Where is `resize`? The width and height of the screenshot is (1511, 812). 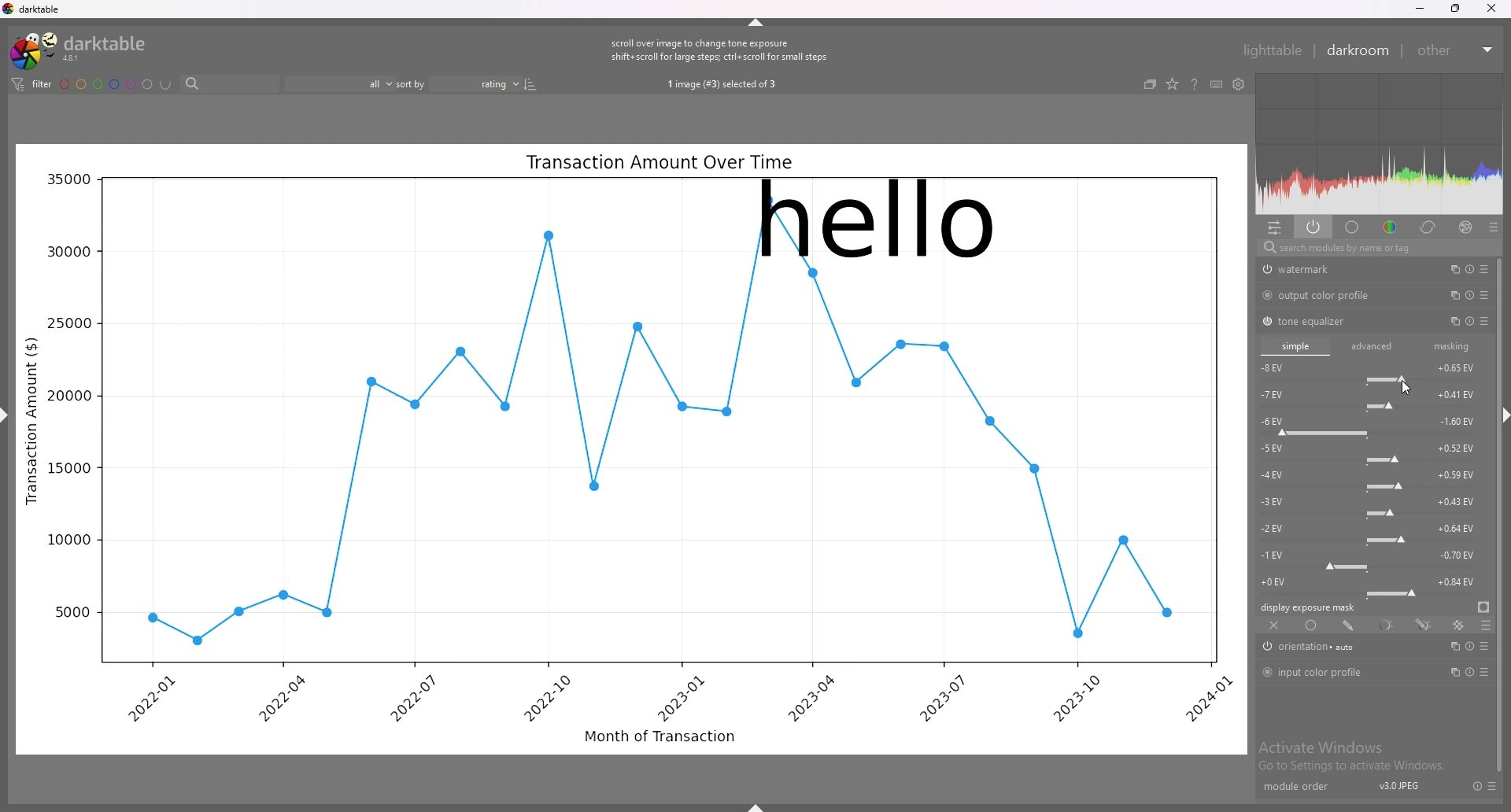
resize is located at coordinates (1454, 9).